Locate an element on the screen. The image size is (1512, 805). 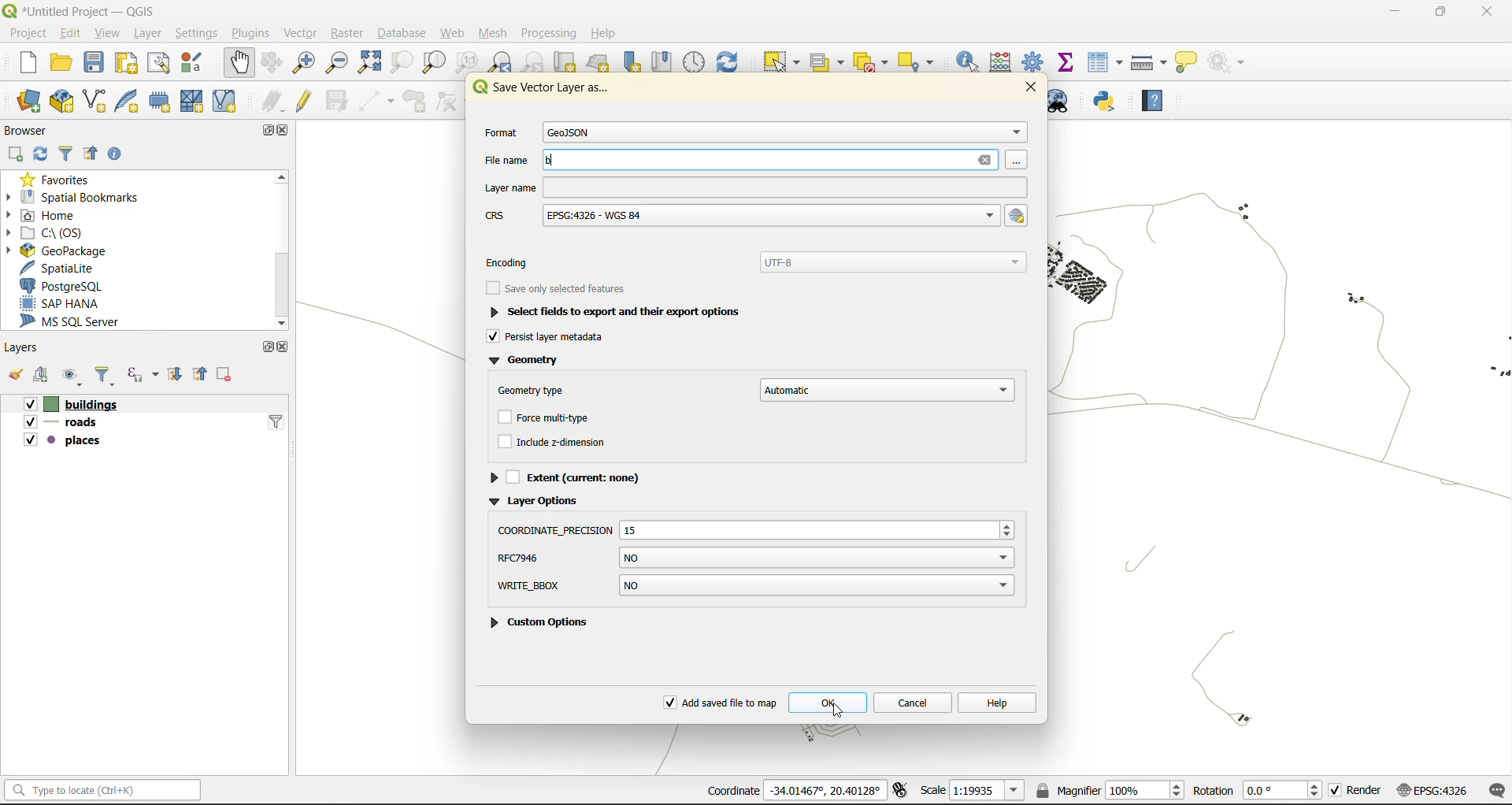
show layout is located at coordinates (160, 63).